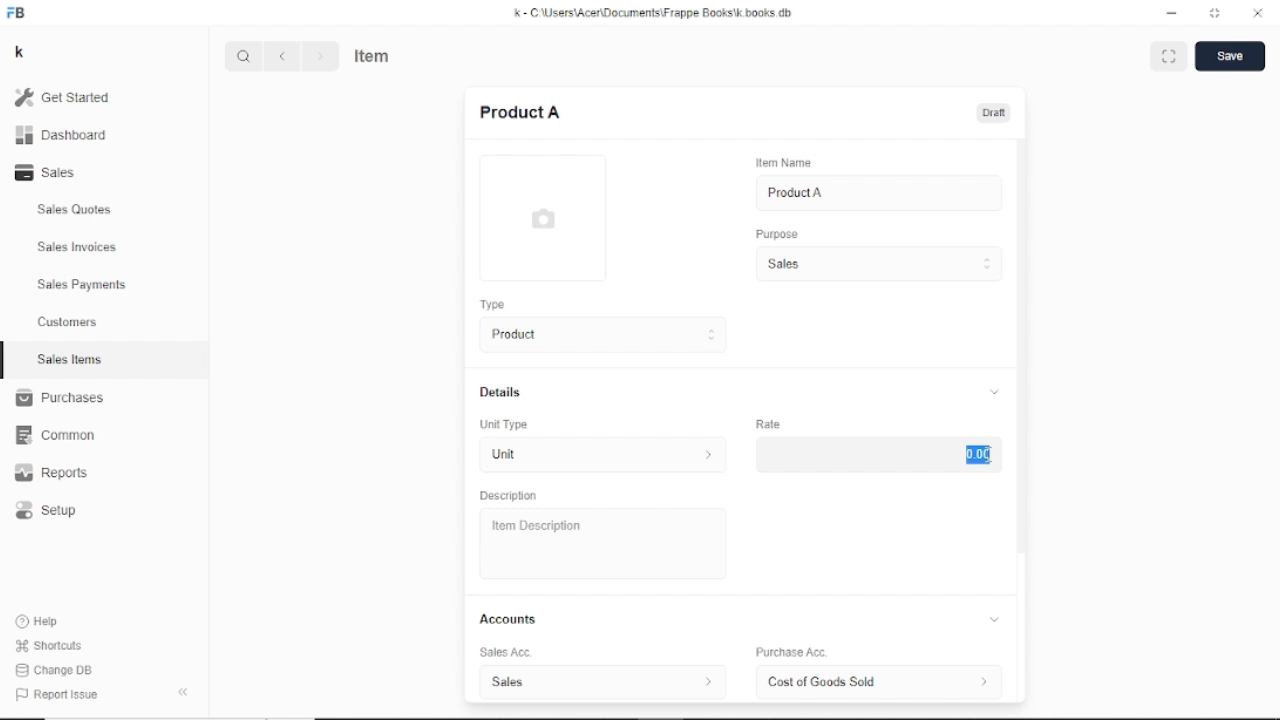 The height and width of the screenshot is (720, 1280). I want to click on Draft, so click(996, 113).